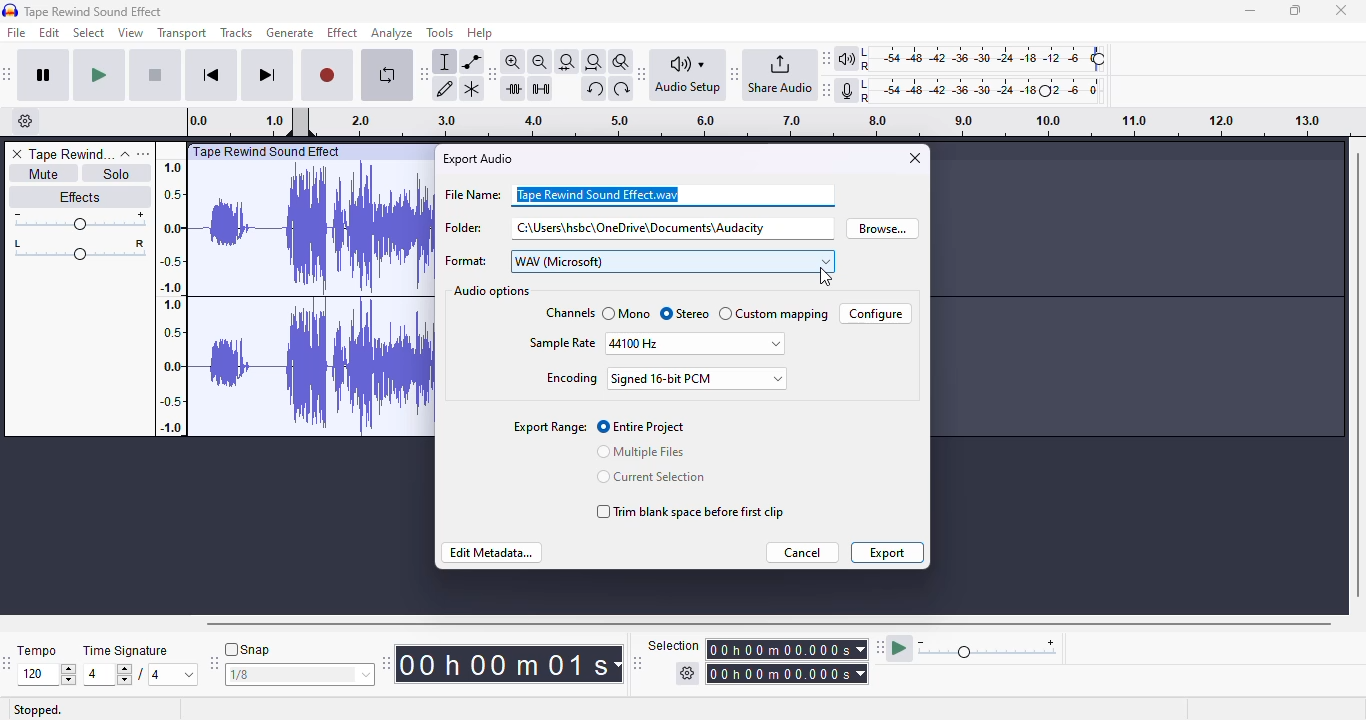  Describe the element at coordinates (682, 76) in the screenshot. I see `audacity audio setup toolbar` at that location.